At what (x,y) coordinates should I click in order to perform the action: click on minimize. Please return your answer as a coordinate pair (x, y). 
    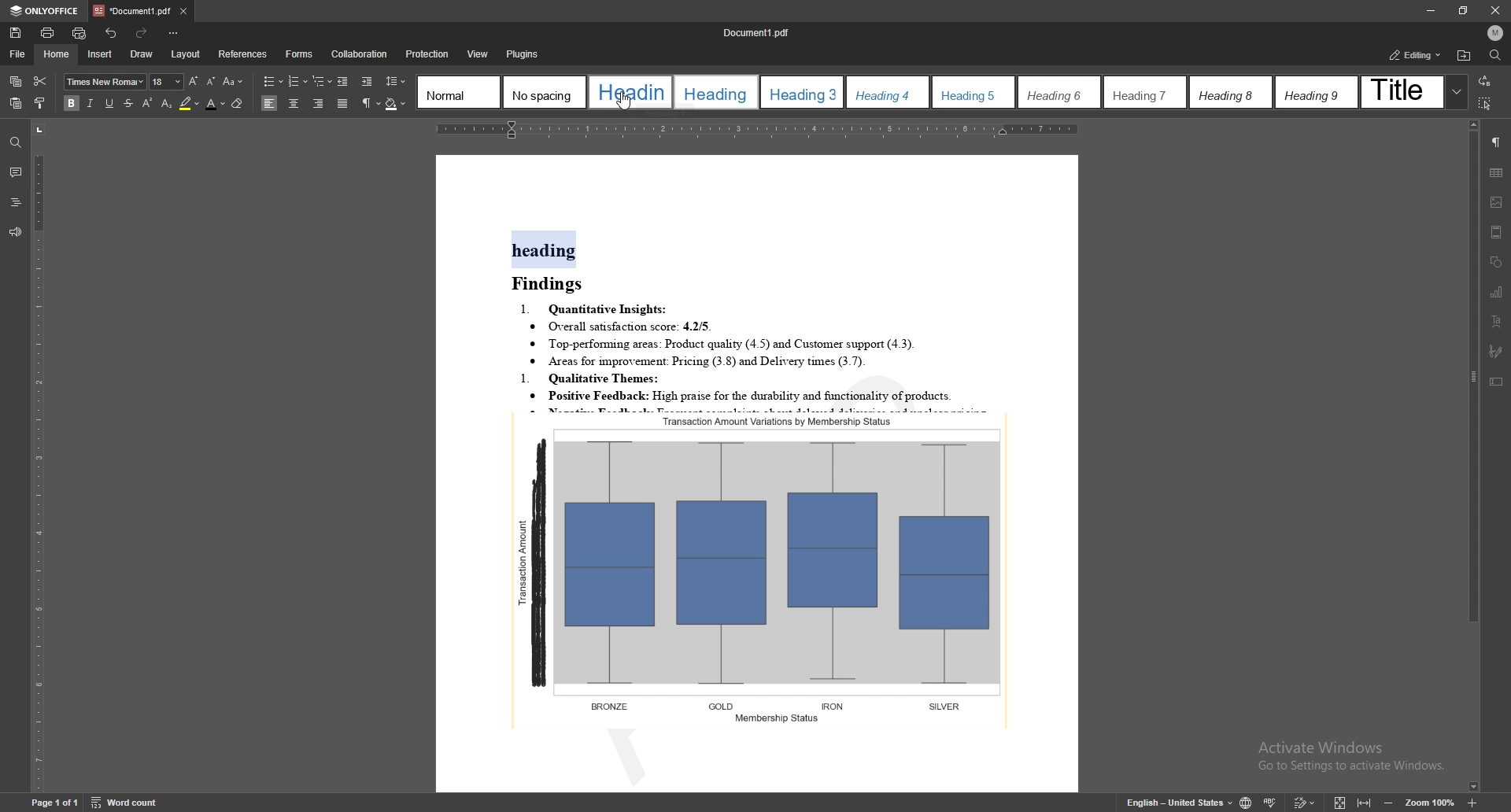
    Looking at the image, I should click on (1429, 10).